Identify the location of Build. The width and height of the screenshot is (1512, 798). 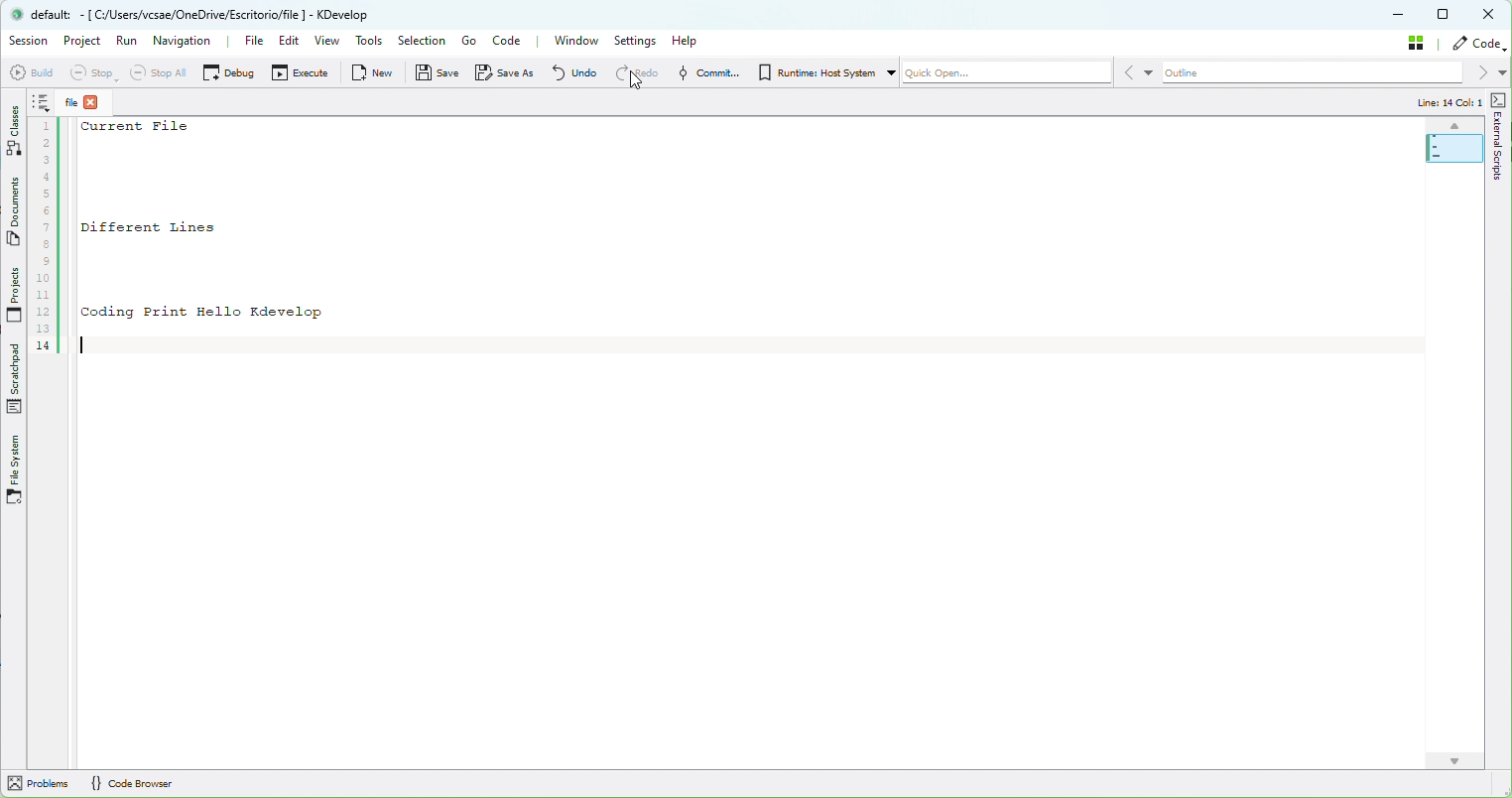
(30, 71).